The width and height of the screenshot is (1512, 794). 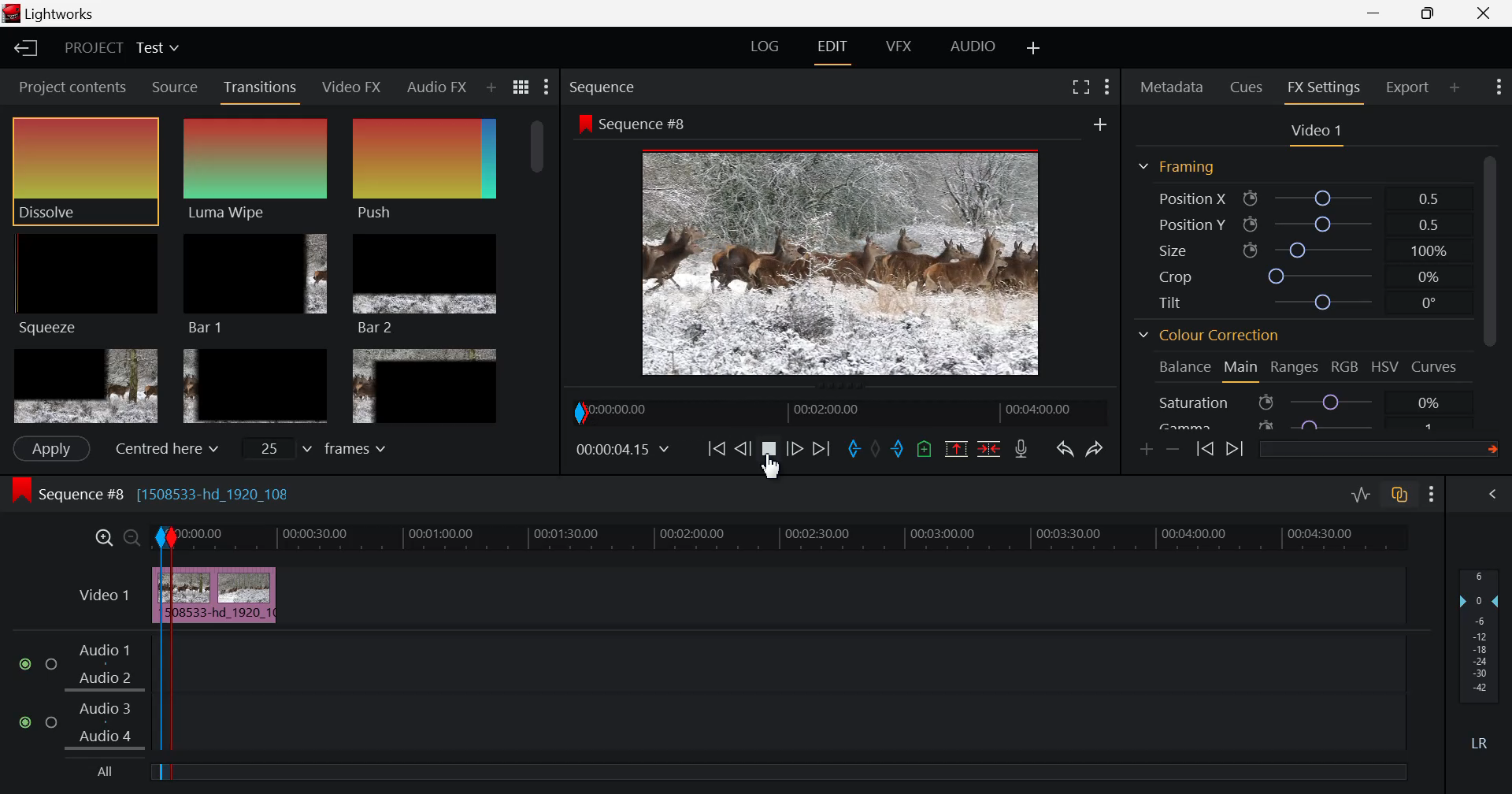 I want to click on EDIT Tab Open, so click(x=836, y=46).